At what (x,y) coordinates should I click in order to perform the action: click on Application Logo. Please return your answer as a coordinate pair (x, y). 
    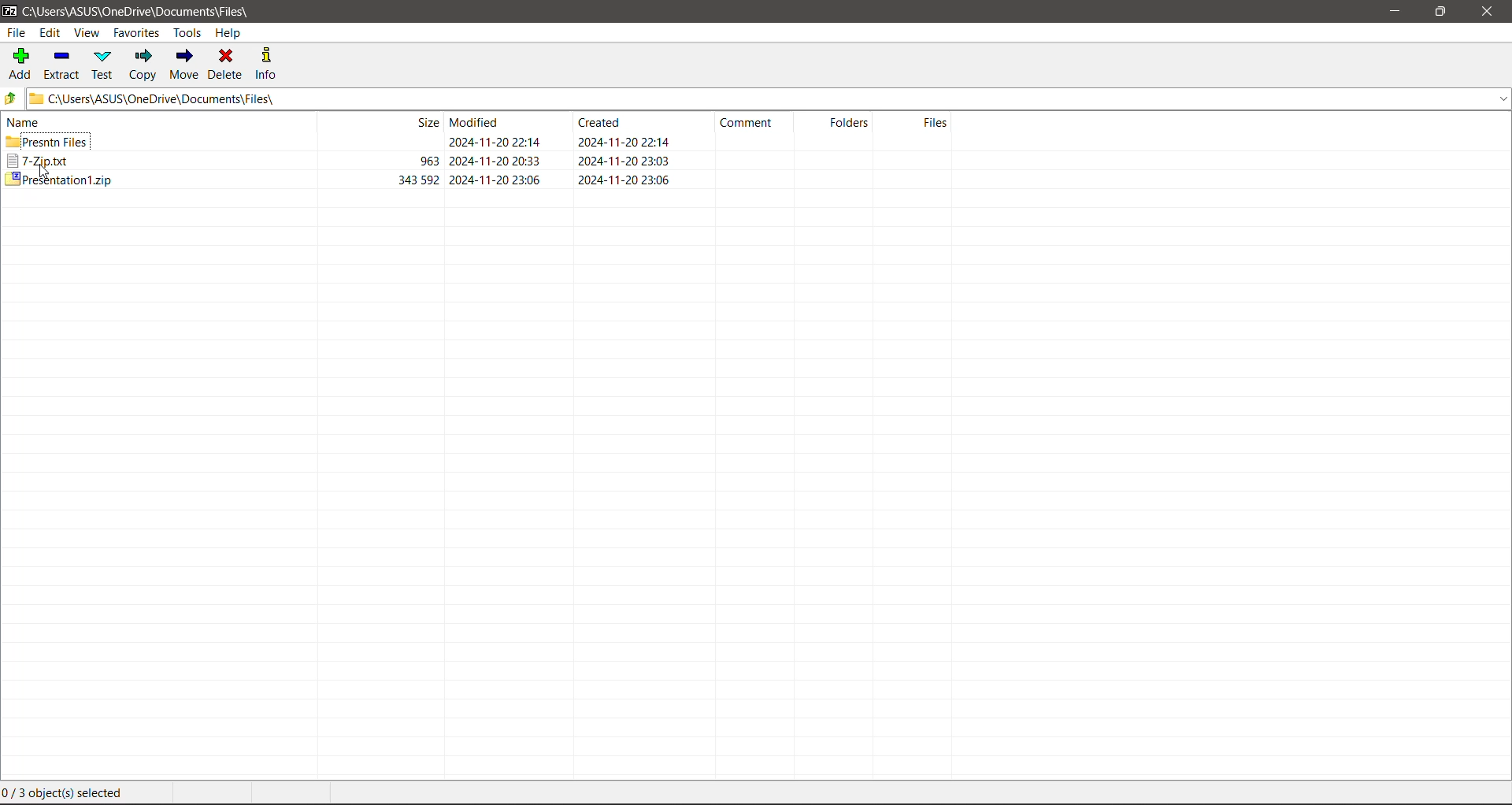
    Looking at the image, I should click on (9, 11).